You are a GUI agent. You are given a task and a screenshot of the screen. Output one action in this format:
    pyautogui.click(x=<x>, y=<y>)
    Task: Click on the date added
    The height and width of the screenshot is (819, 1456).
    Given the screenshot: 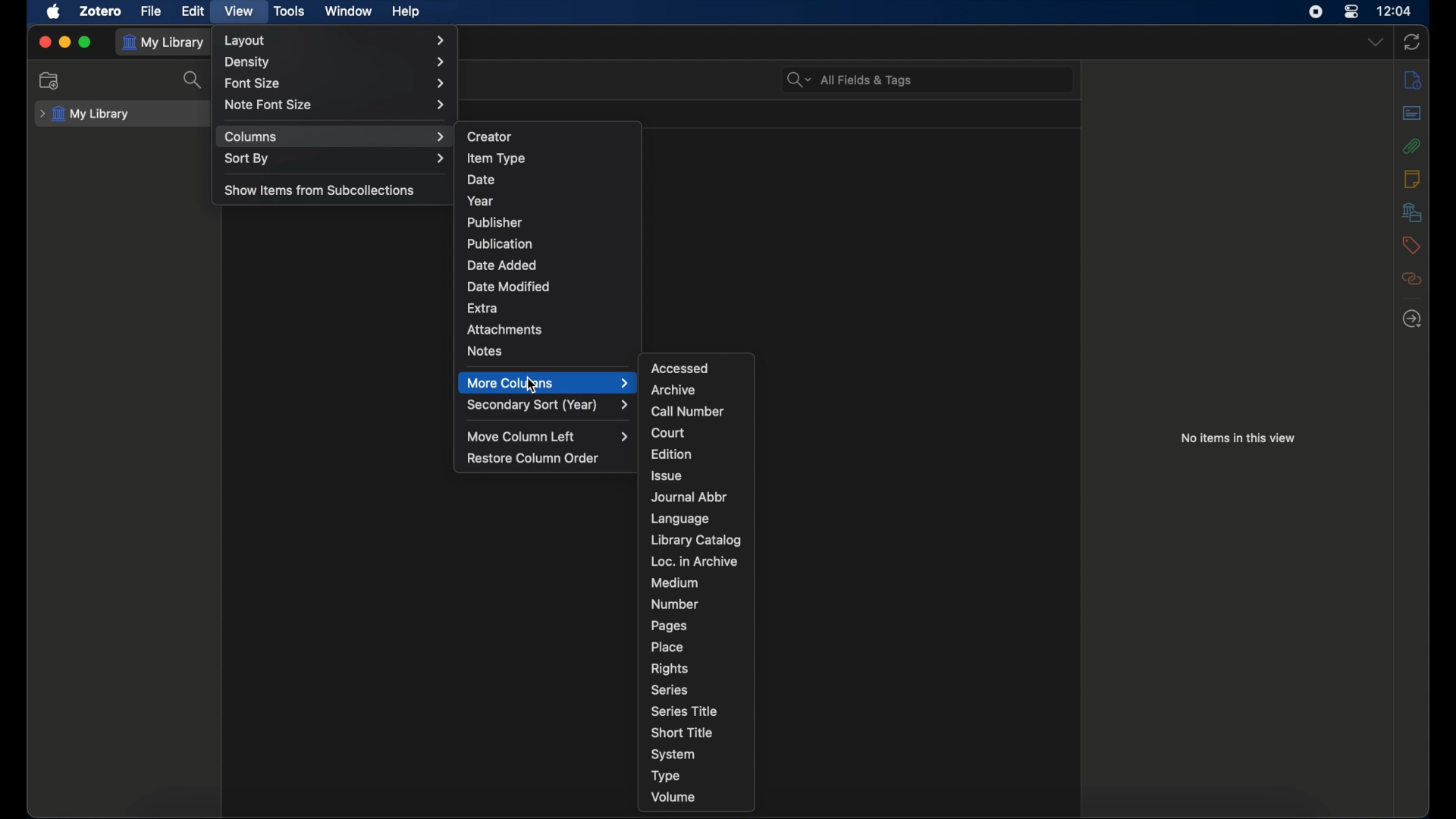 What is the action you would take?
    pyautogui.click(x=502, y=265)
    